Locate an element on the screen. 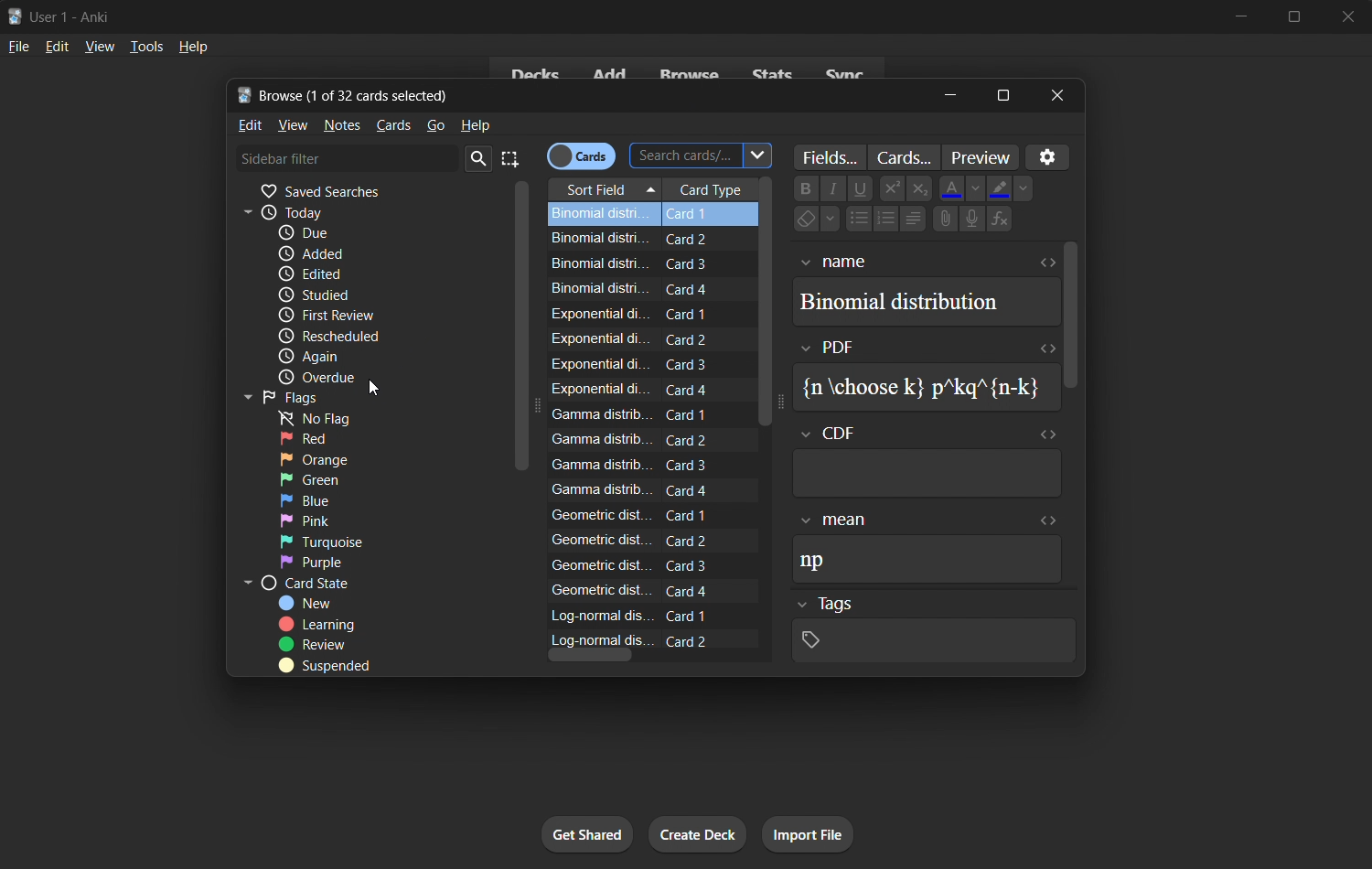 This screenshot has width=1372, height=869. minimize is located at coordinates (953, 94).